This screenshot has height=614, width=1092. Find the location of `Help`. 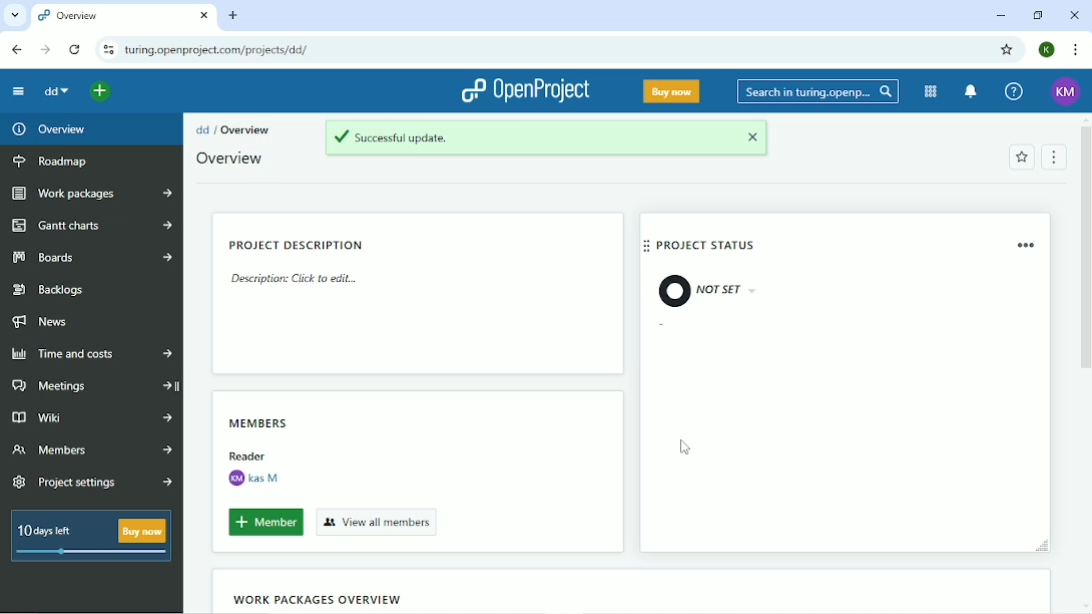

Help is located at coordinates (1014, 92).